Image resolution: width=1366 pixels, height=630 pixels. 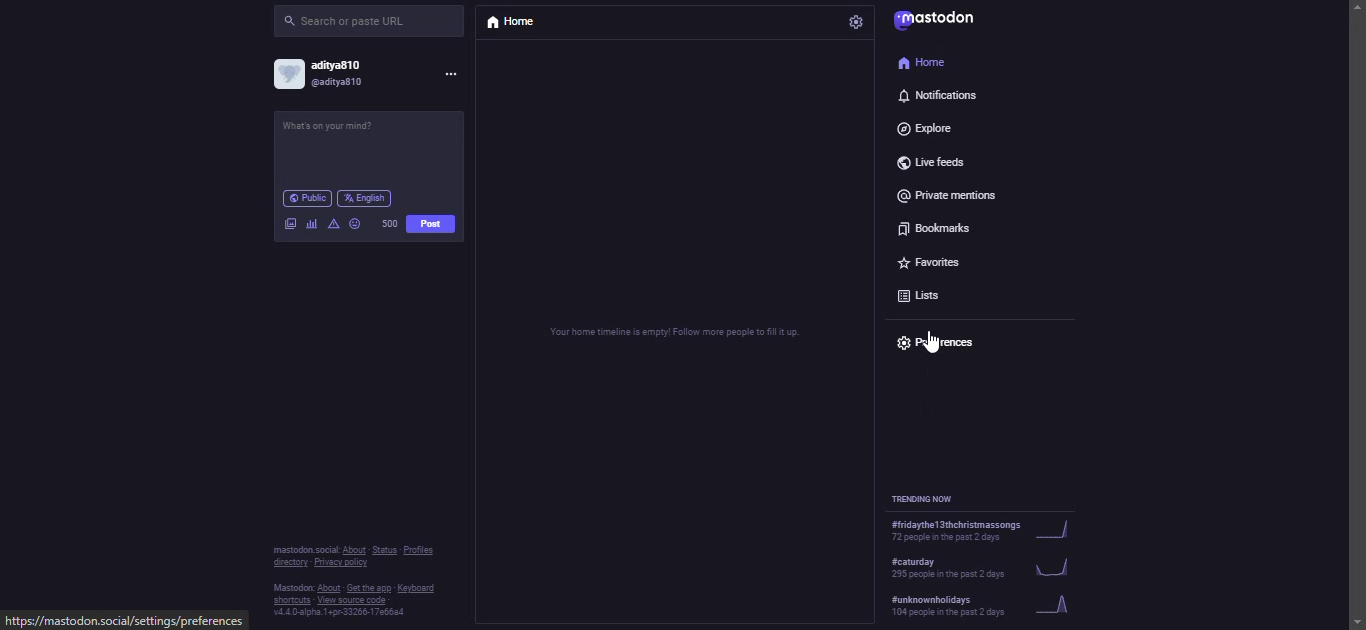 What do you see at coordinates (451, 76) in the screenshot?
I see `more` at bounding box center [451, 76].